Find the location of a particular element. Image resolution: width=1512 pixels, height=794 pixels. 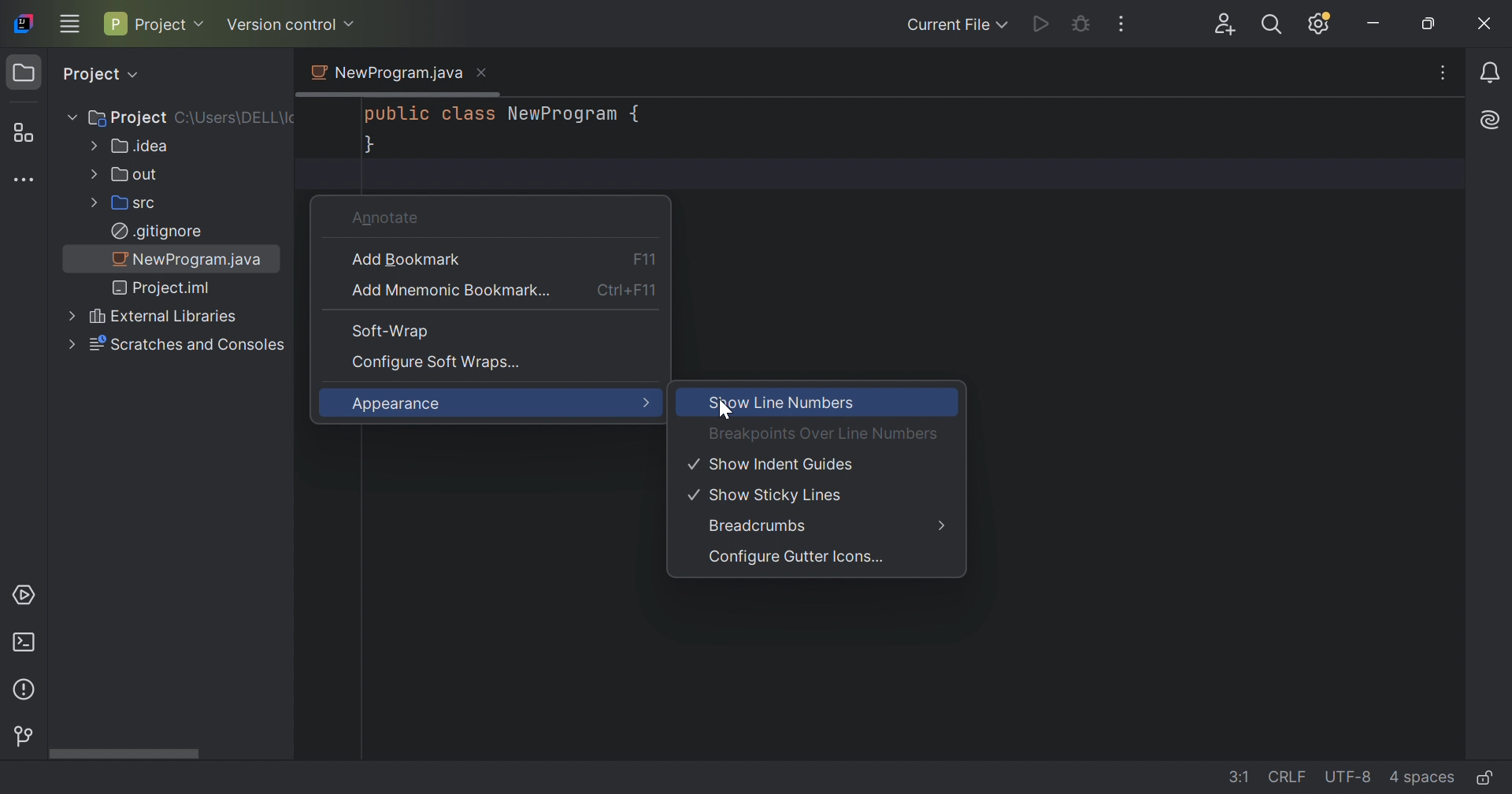

Restore Down is located at coordinates (1428, 25).